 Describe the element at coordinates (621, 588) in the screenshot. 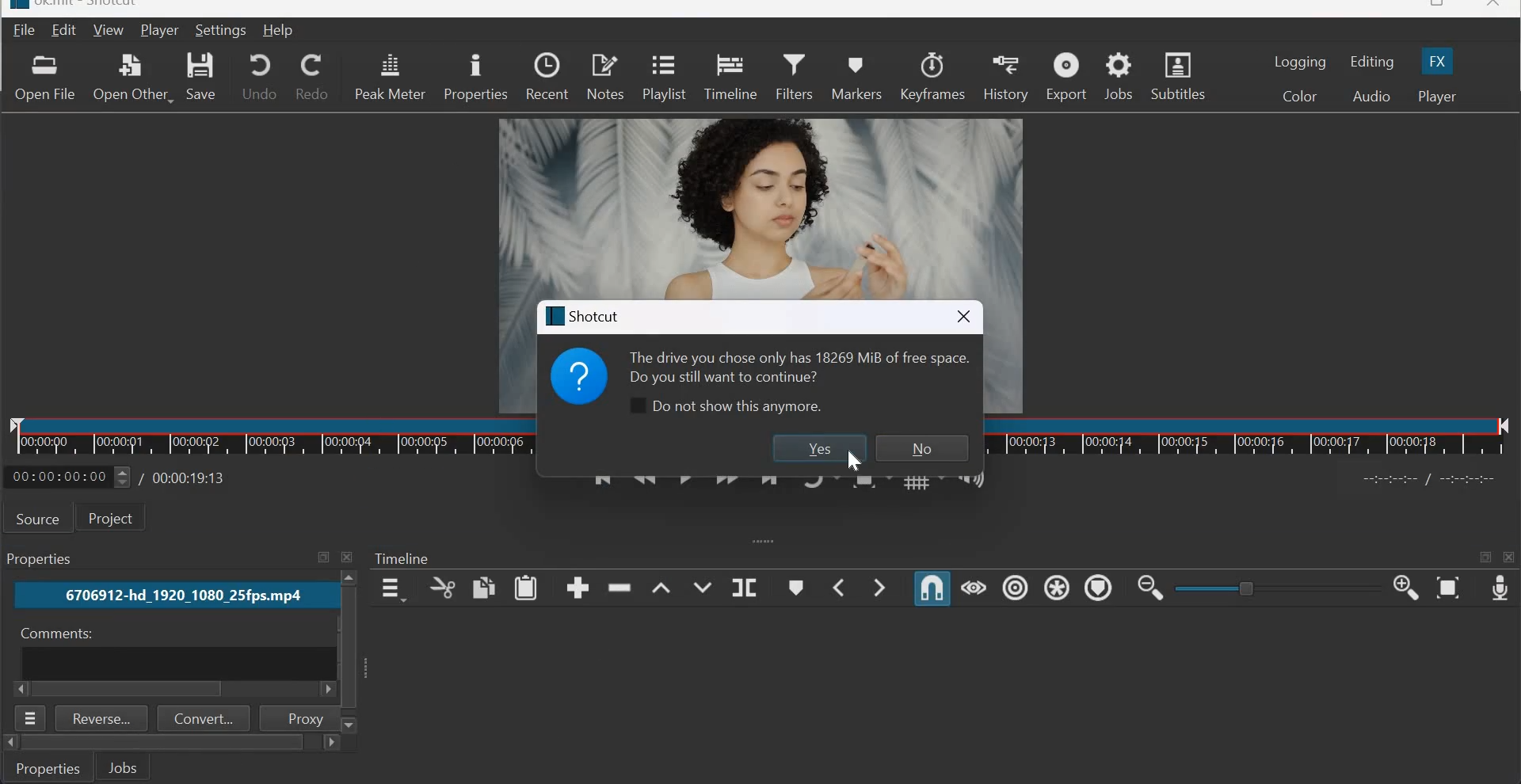

I see `ripple delete` at that location.